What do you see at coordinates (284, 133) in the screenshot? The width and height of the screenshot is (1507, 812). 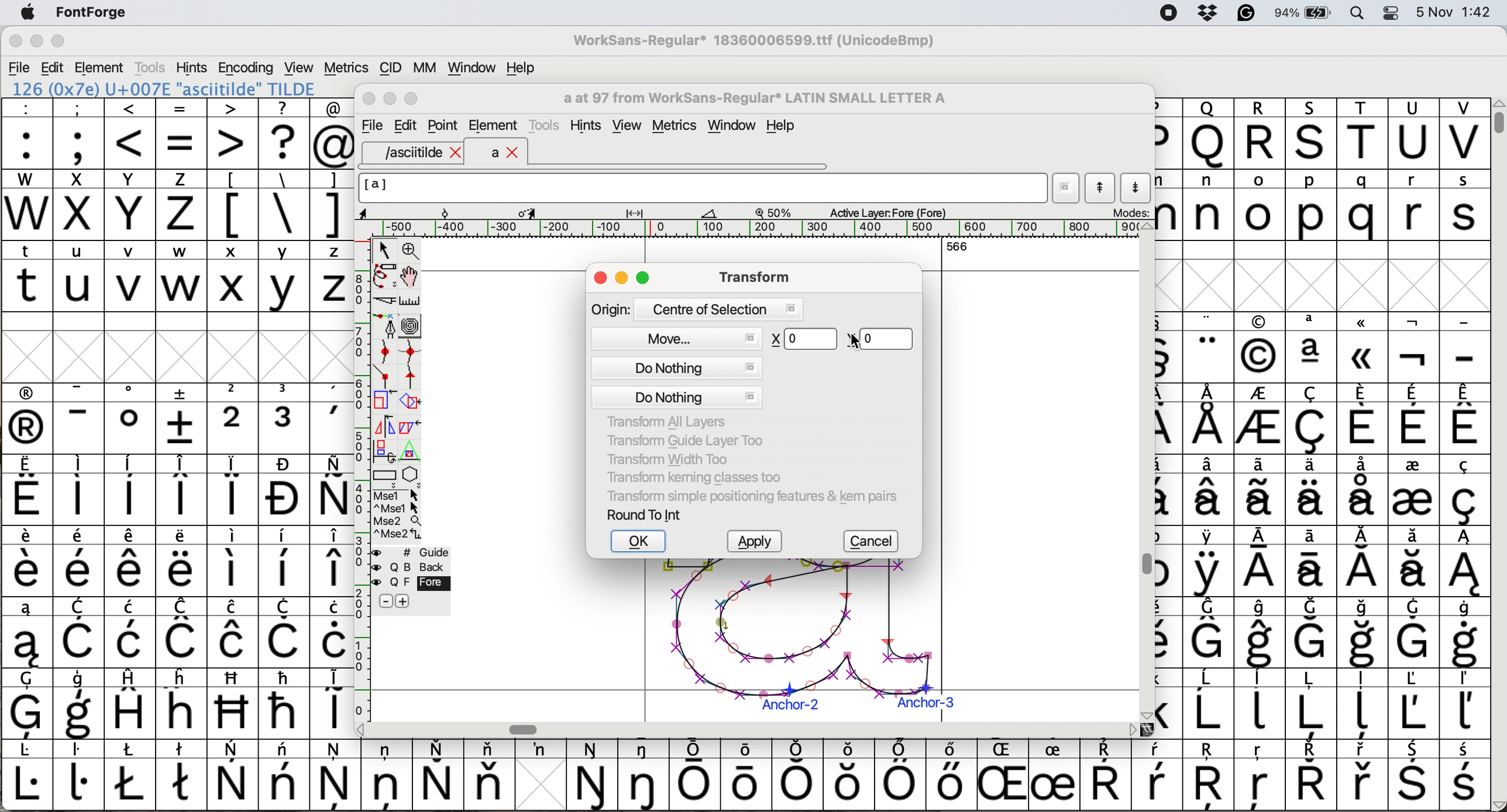 I see `?` at bounding box center [284, 133].